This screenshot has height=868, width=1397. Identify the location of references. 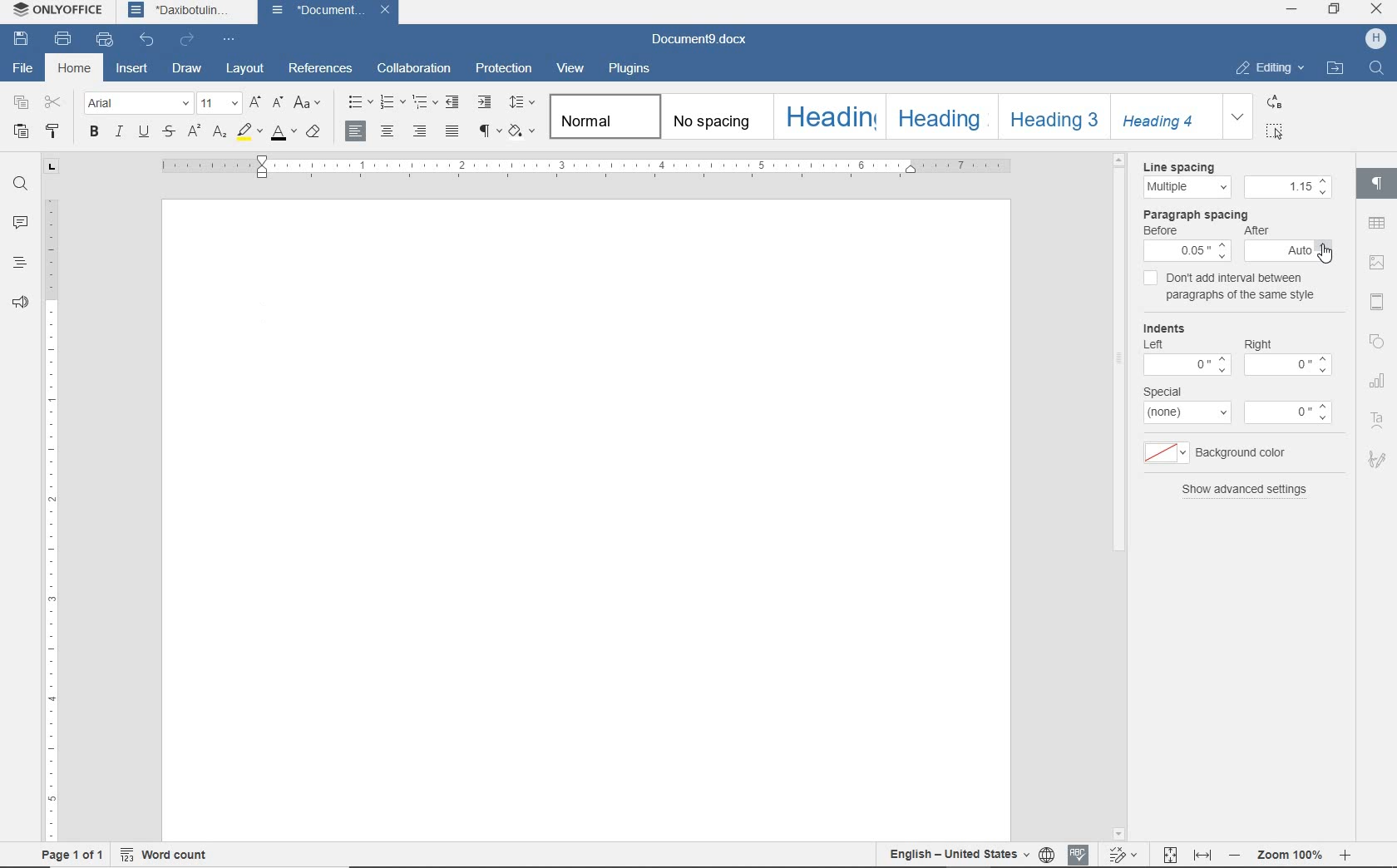
(323, 72).